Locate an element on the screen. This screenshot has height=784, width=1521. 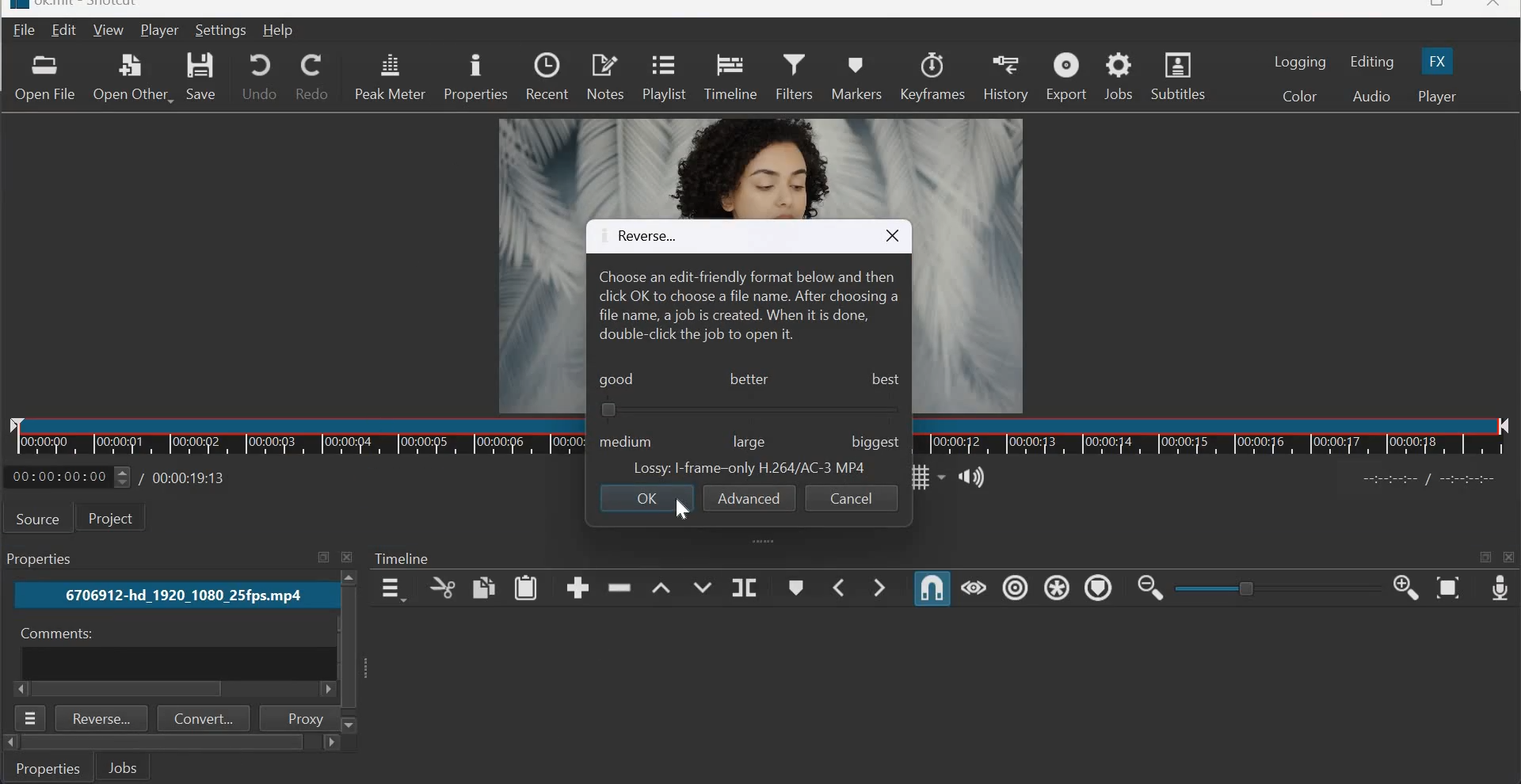
Ripple Markers is located at coordinates (1097, 587).